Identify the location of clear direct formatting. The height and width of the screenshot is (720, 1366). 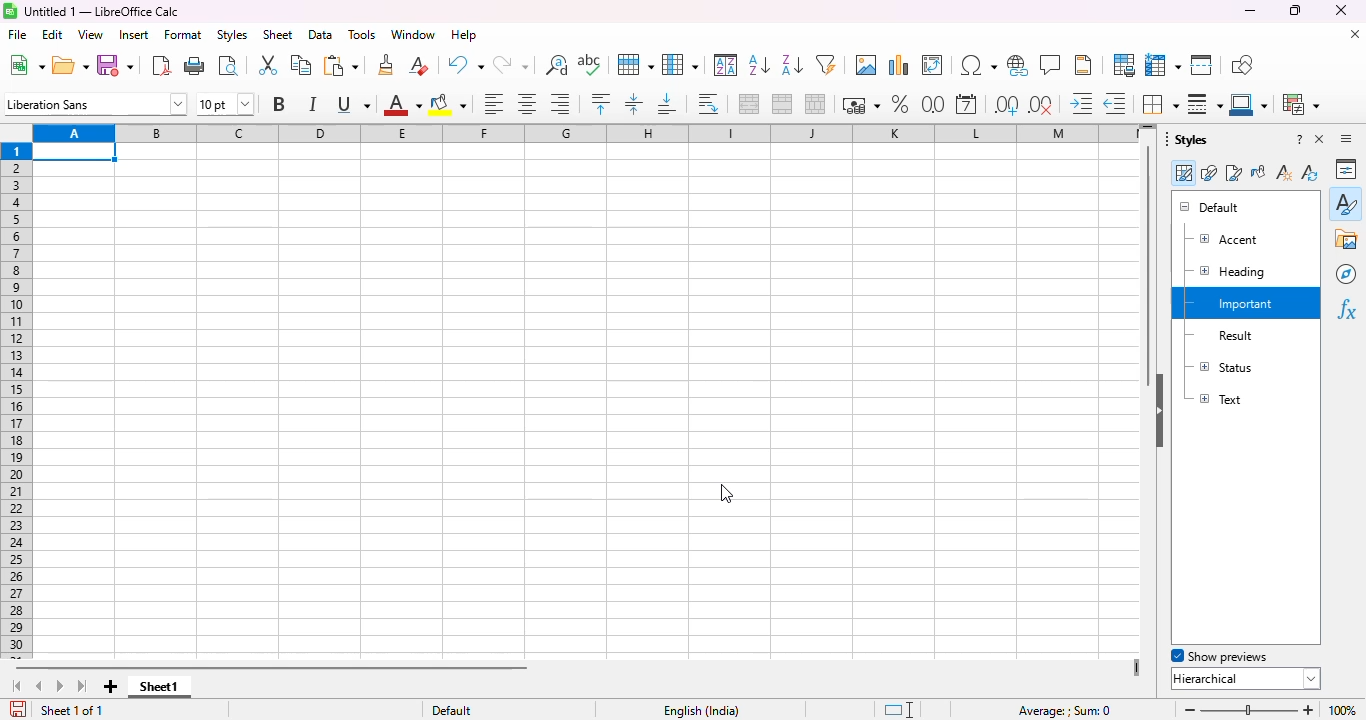
(418, 64).